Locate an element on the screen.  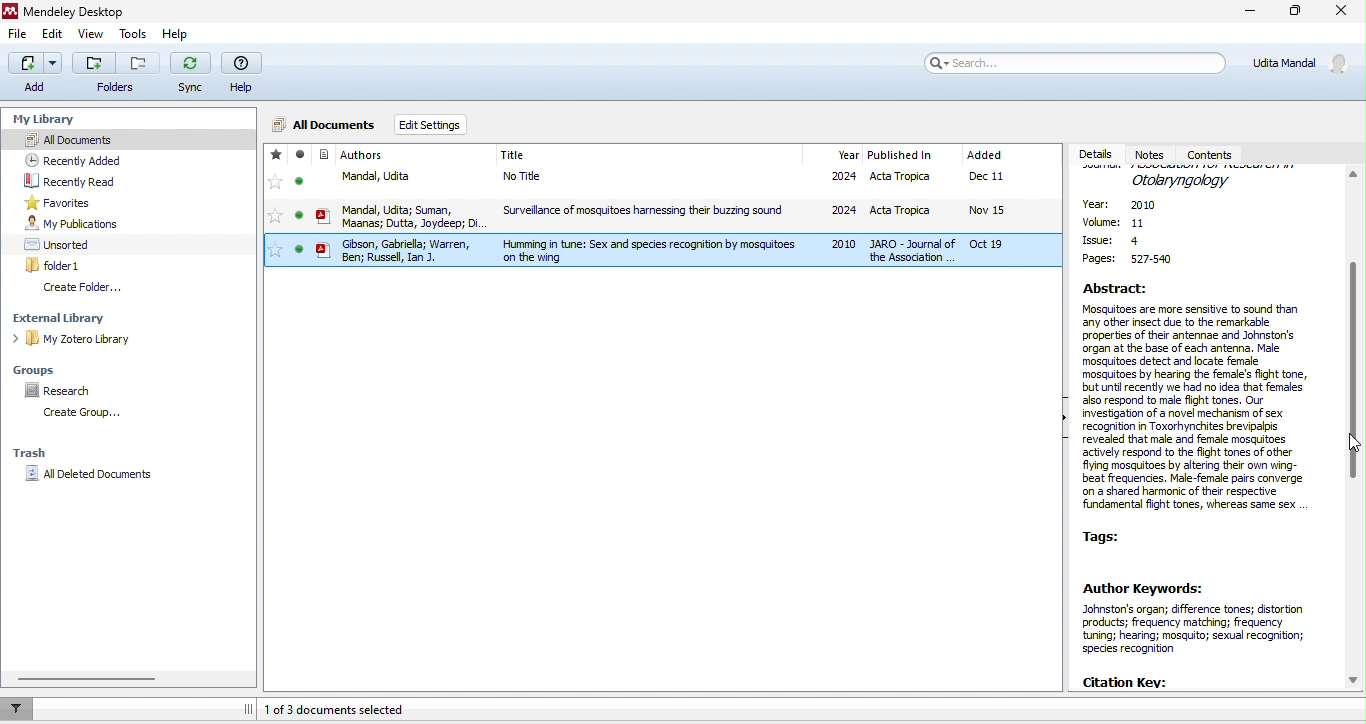
all documents is located at coordinates (128, 138).